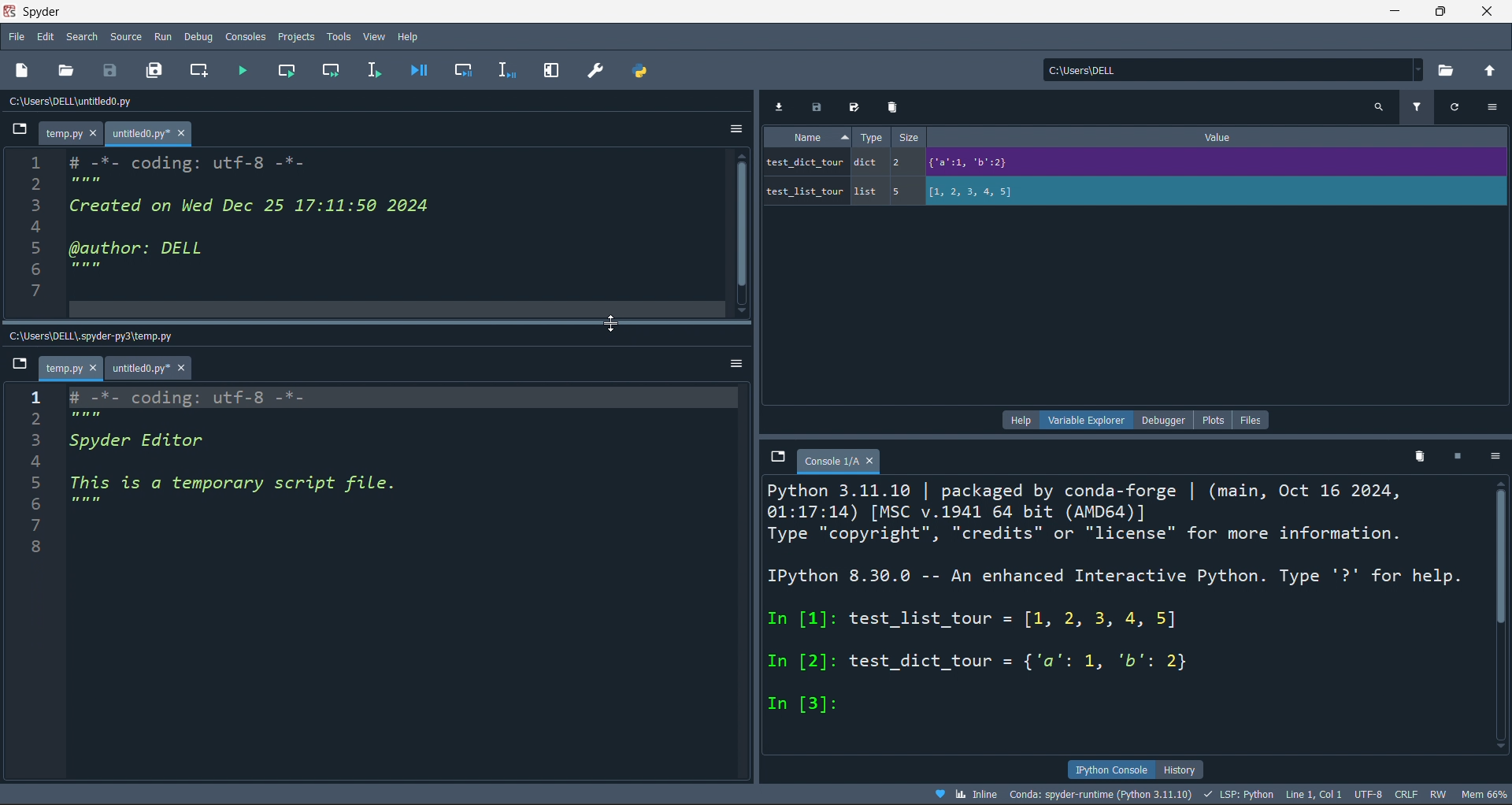  Describe the element at coordinates (409, 36) in the screenshot. I see `help` at that location.